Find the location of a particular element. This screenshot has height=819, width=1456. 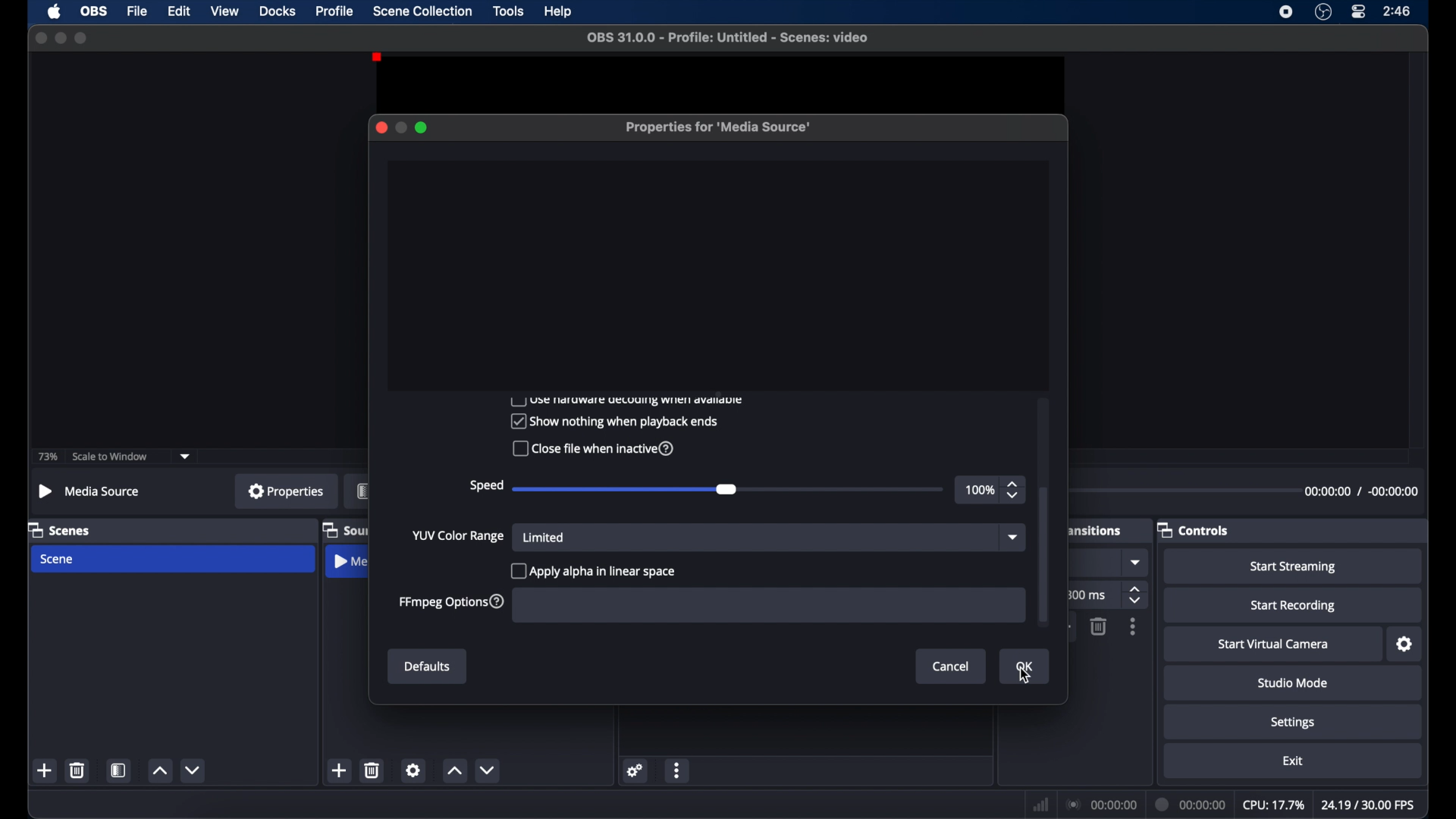

start virtual camera is located at coordinates (1274, 645).